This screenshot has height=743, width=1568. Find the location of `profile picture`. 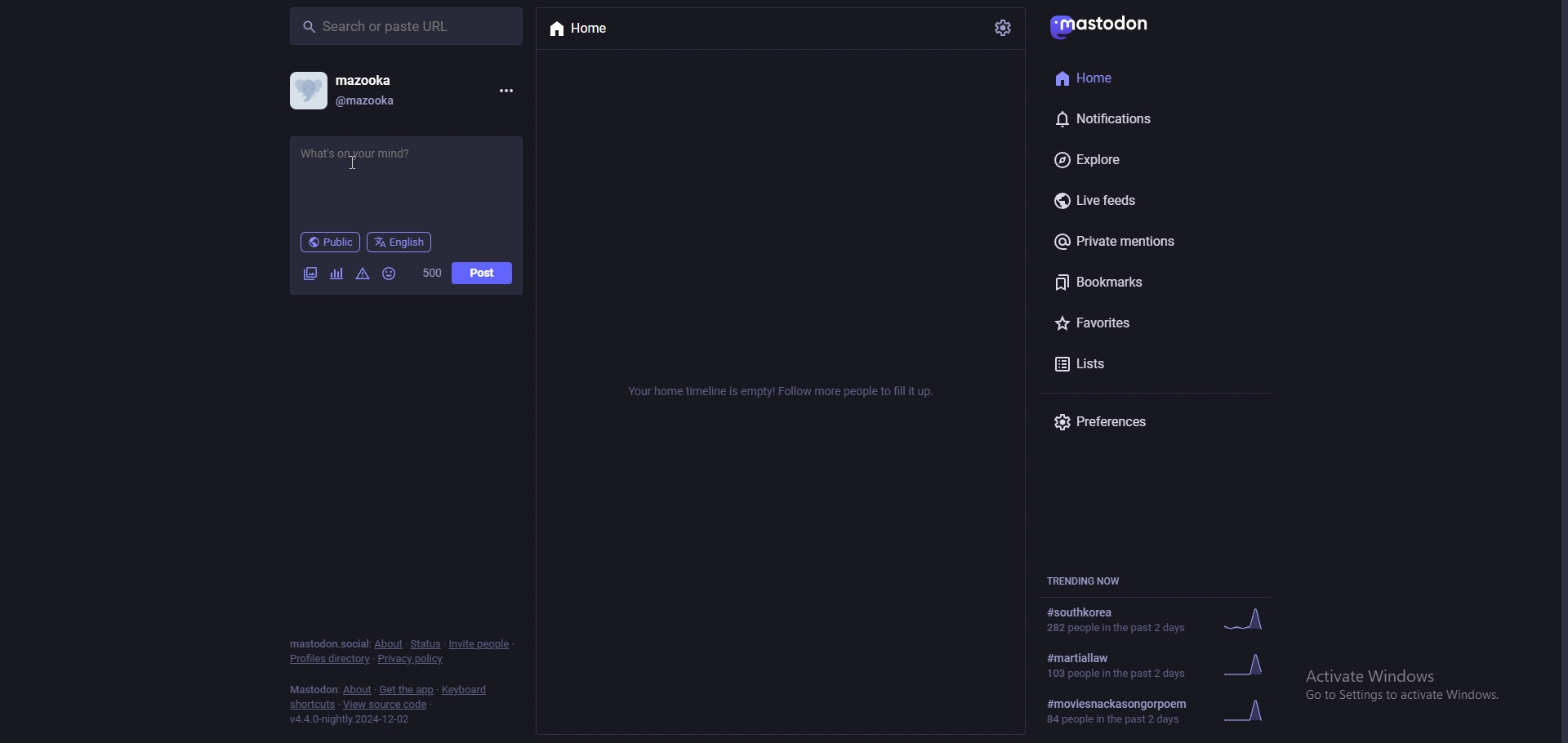

profile picture is located at coordinates (306, 89).